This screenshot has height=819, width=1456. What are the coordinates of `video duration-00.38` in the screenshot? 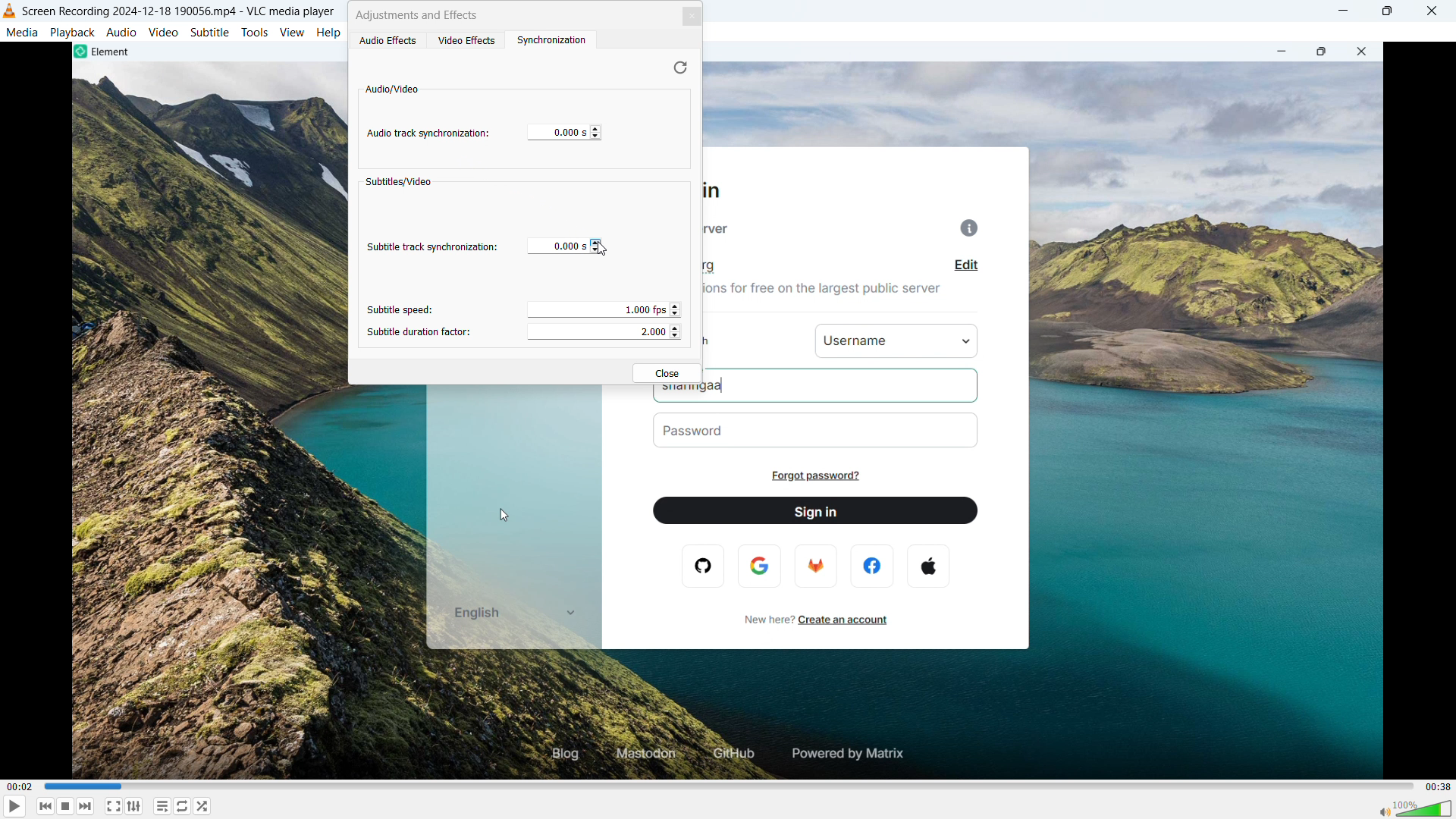 It's located at (1438, 786).